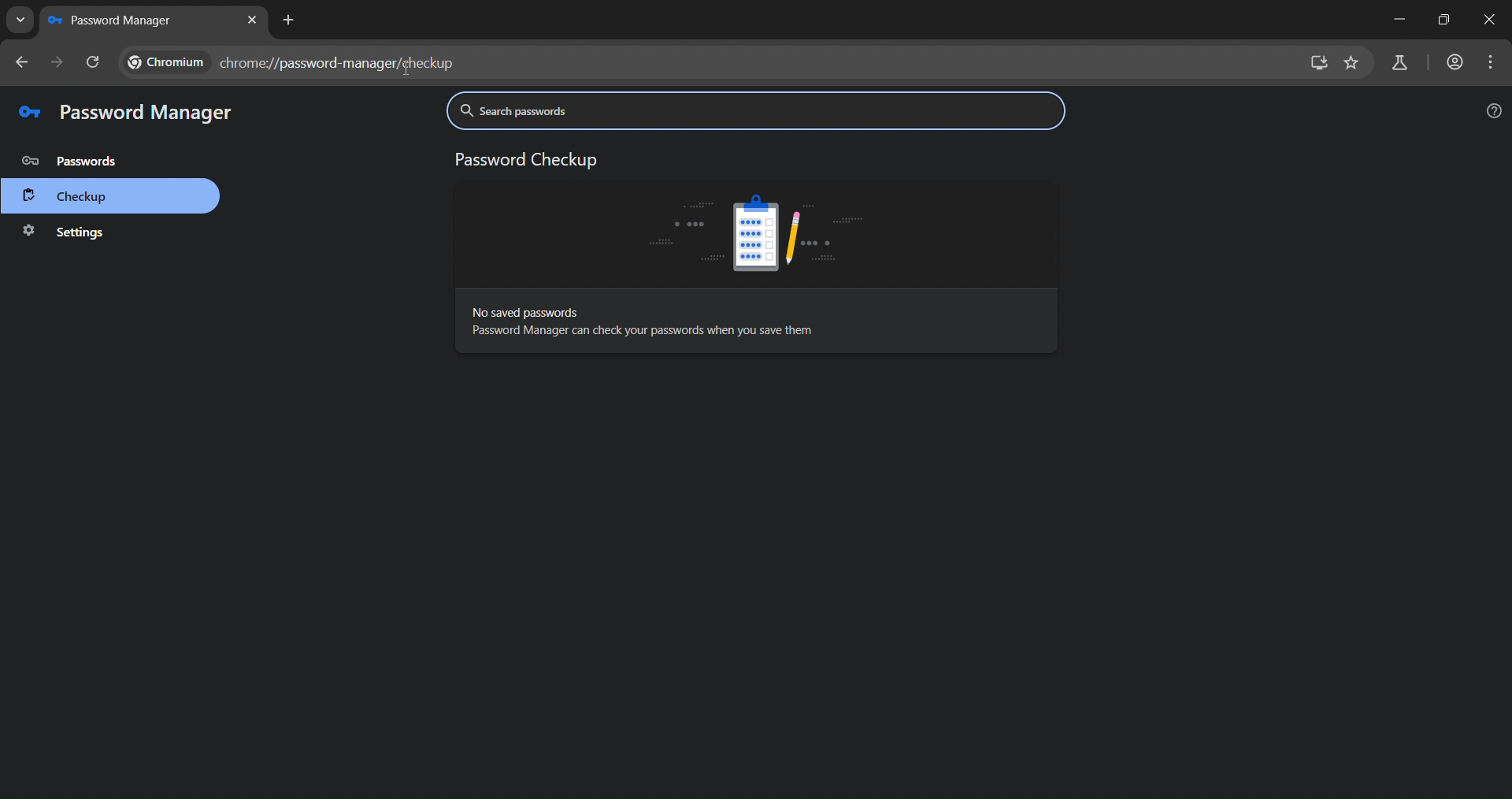 Image resolution: width=1512 pixels, height=799 pixels. I want to click on checkup, so click(68, 198).